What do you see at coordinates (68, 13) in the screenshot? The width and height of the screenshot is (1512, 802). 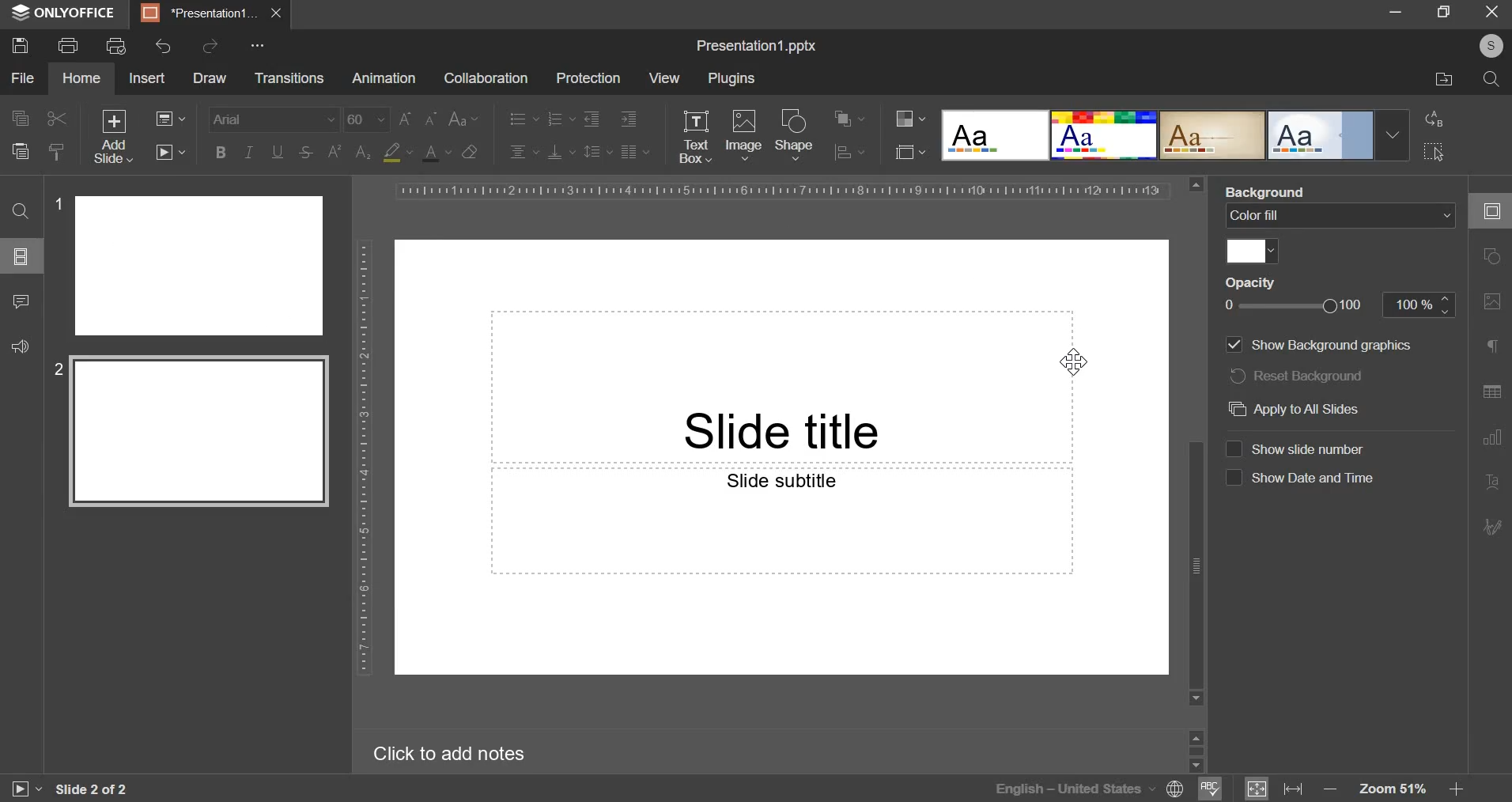 I see `onlyoffice` at bounding box center [68, 13].